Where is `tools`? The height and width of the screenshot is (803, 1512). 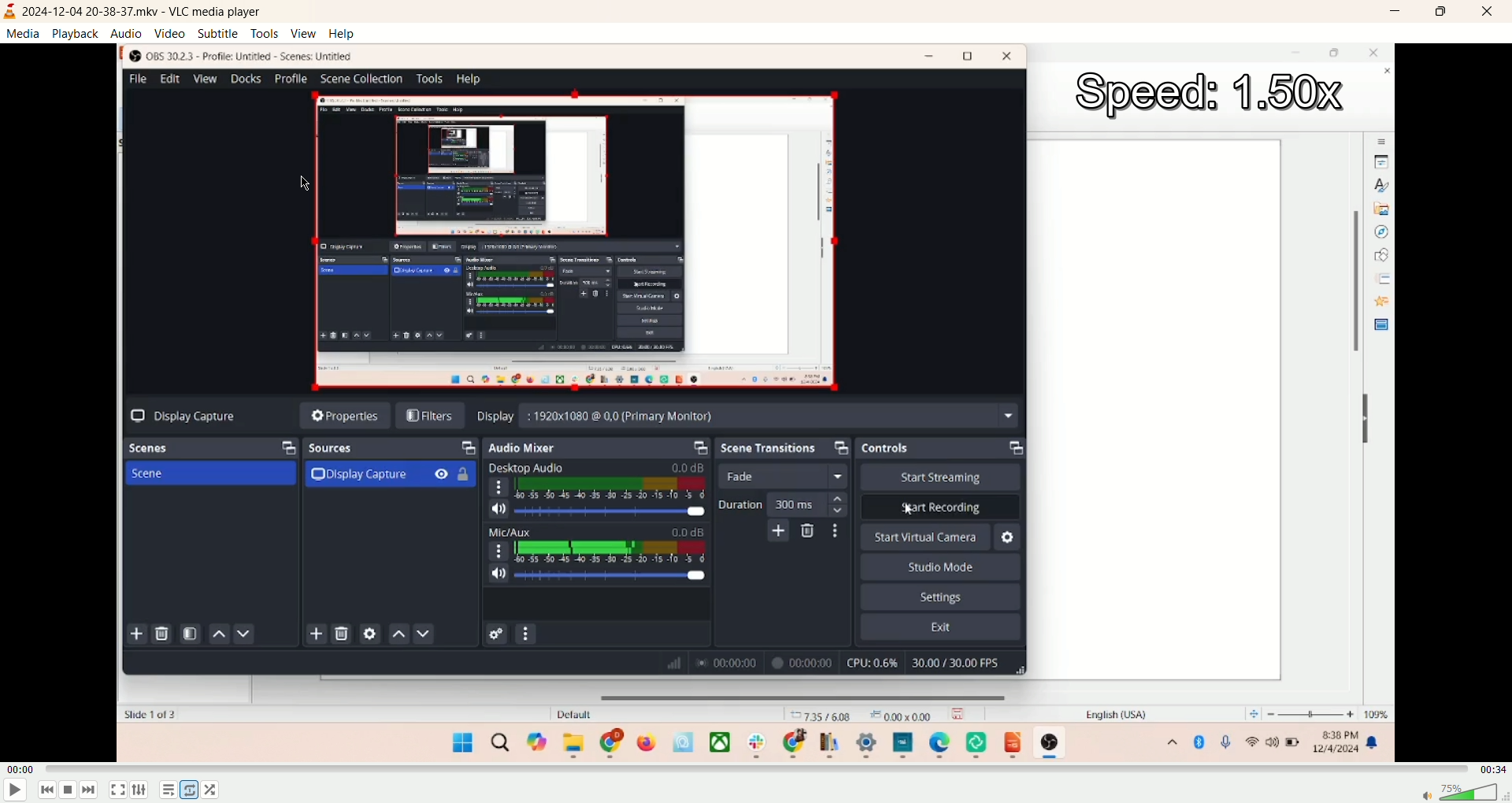
tools is located at coordinates (265, 34).